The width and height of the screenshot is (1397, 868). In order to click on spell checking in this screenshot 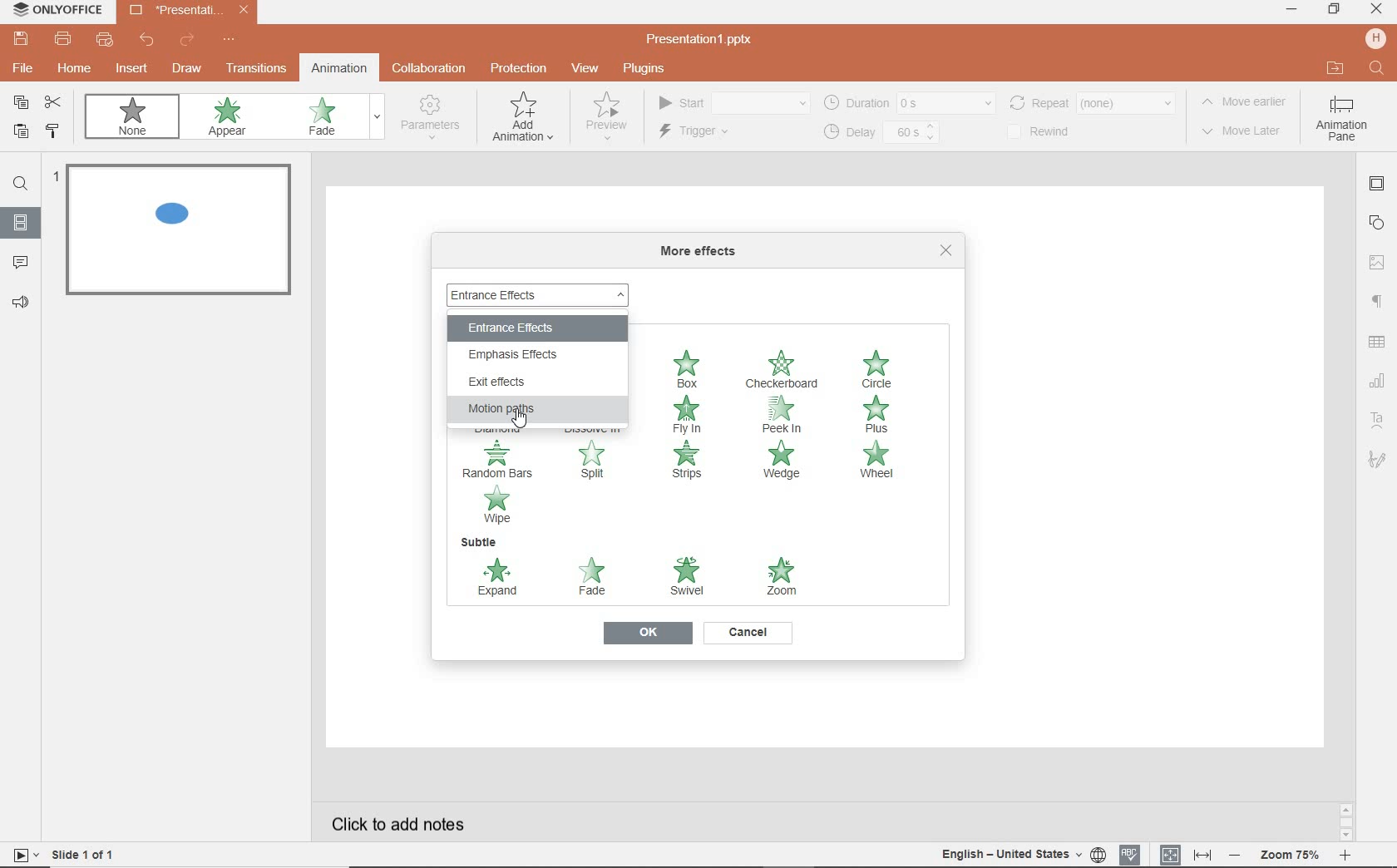, I will do `click(1128, 854)`.